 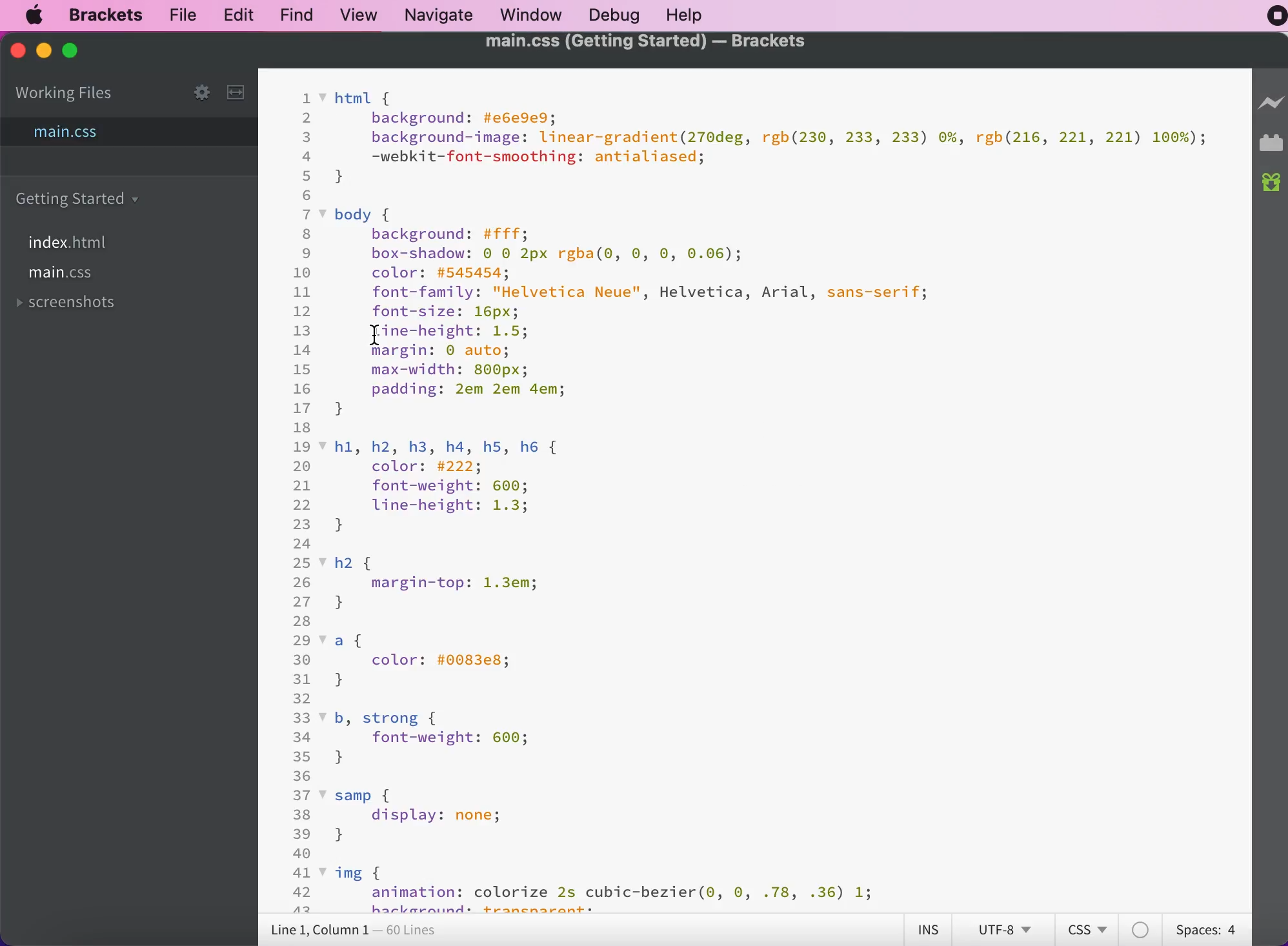 I want to click on line 1, column 1 - 60 lines, so click(x=361, y=928).